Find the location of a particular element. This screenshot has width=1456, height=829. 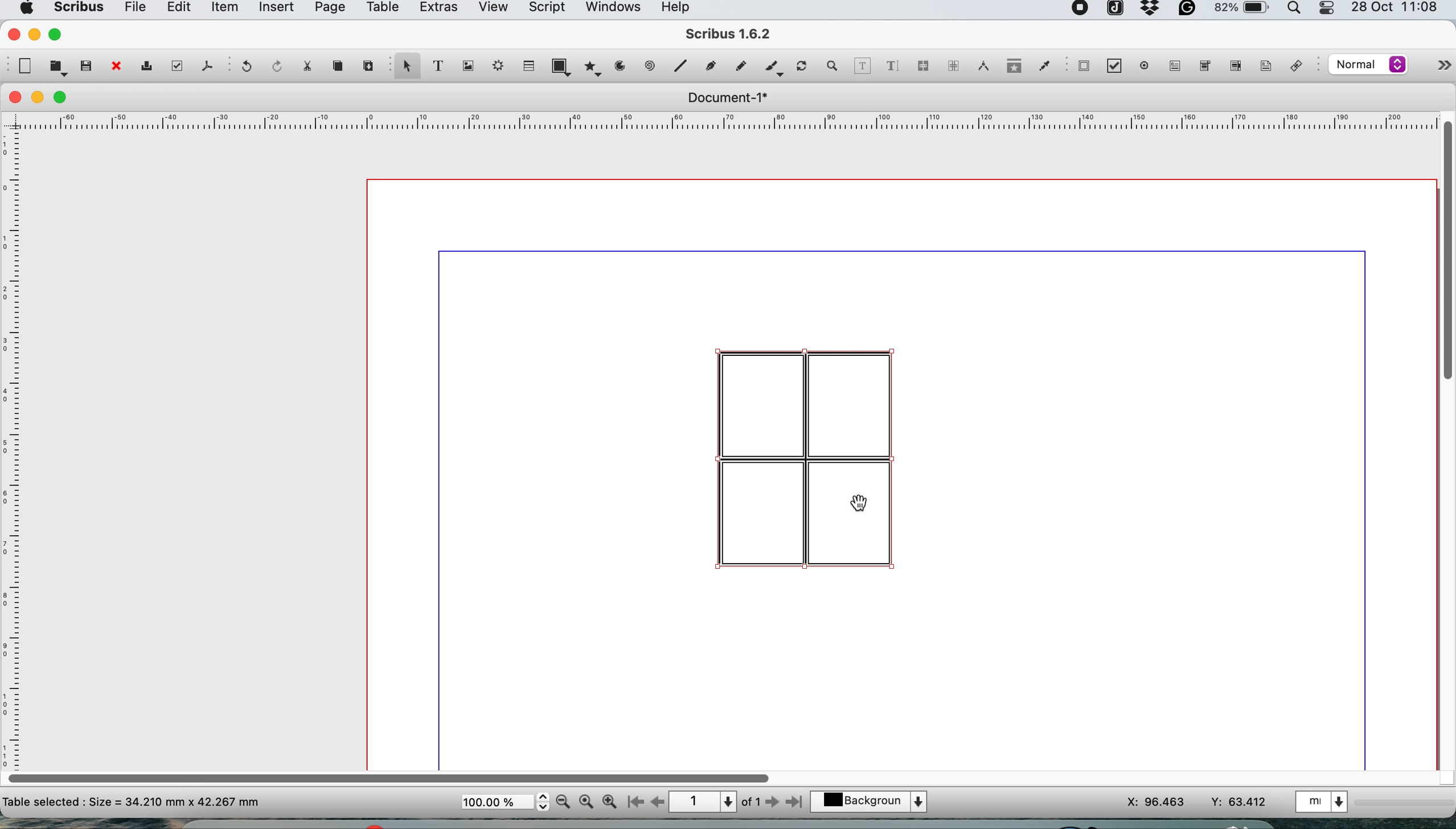

save is located at coordinates (87, 65).